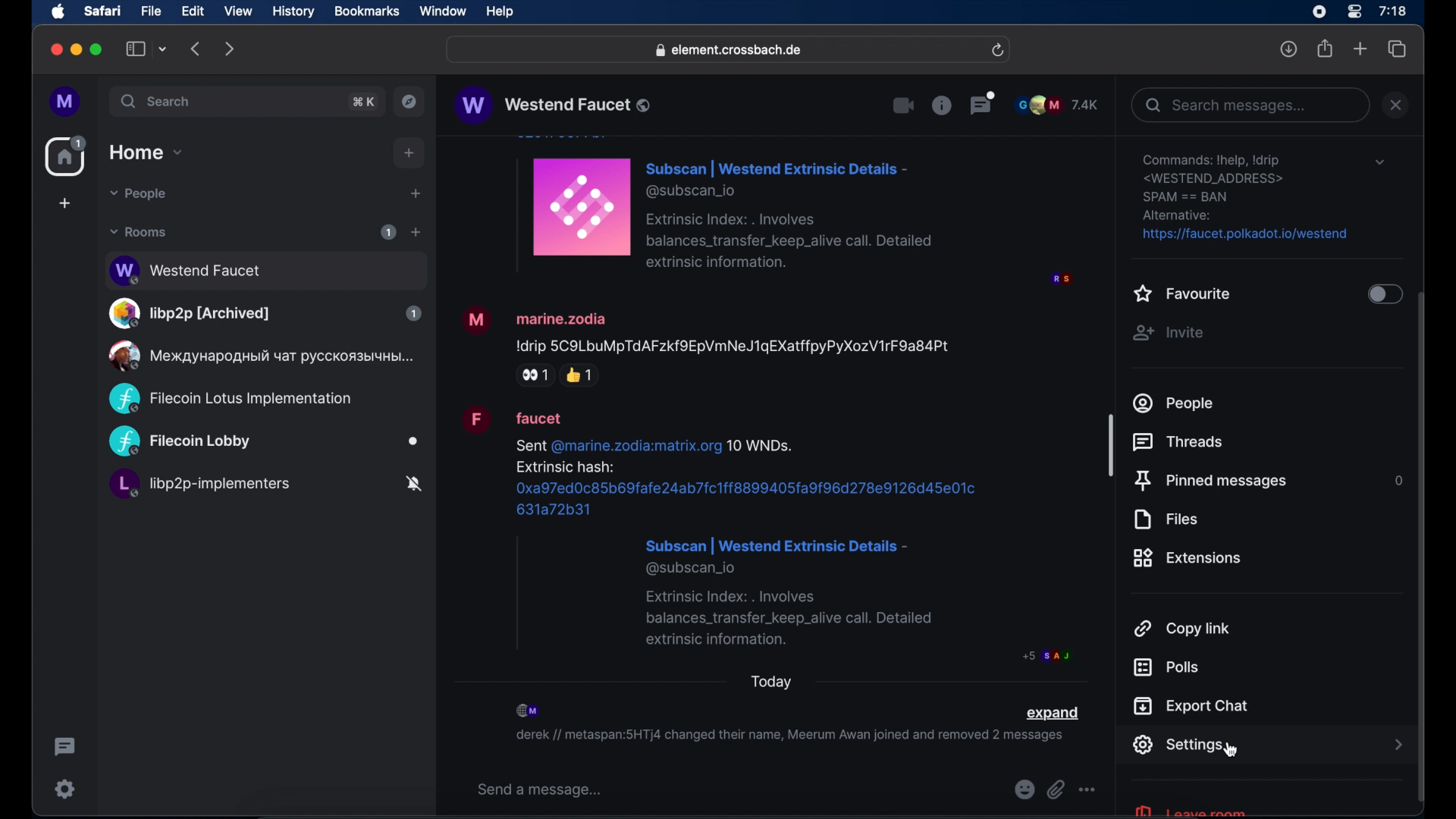  What do you see at coordinates (366, 11) in the screenshot?
I see `bookmarks` at bounding box center [366, 11].